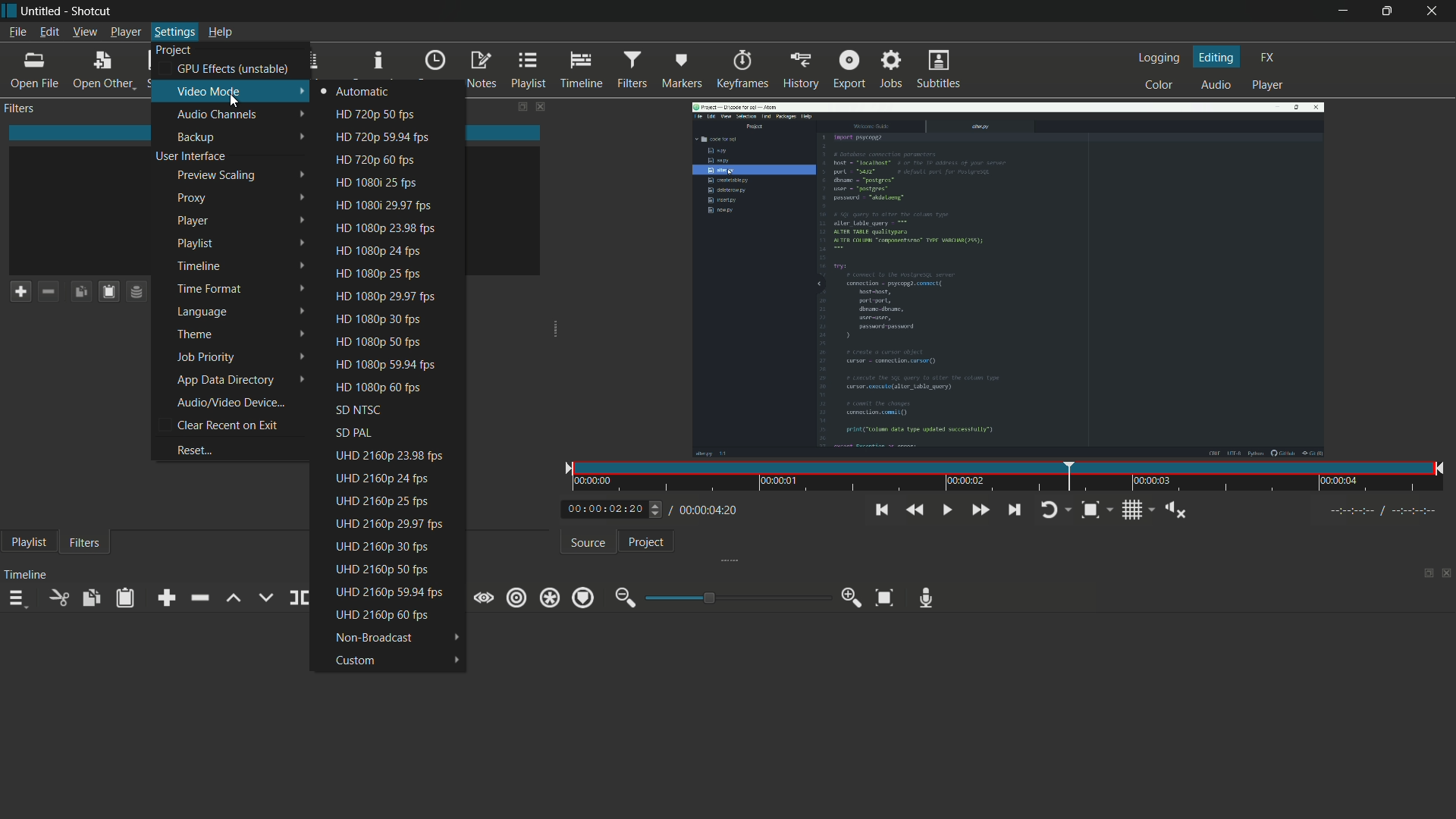  What do you see at coordinates (234, 451) in the screenshot?
I see `reset` at bounding box center [234, 451].